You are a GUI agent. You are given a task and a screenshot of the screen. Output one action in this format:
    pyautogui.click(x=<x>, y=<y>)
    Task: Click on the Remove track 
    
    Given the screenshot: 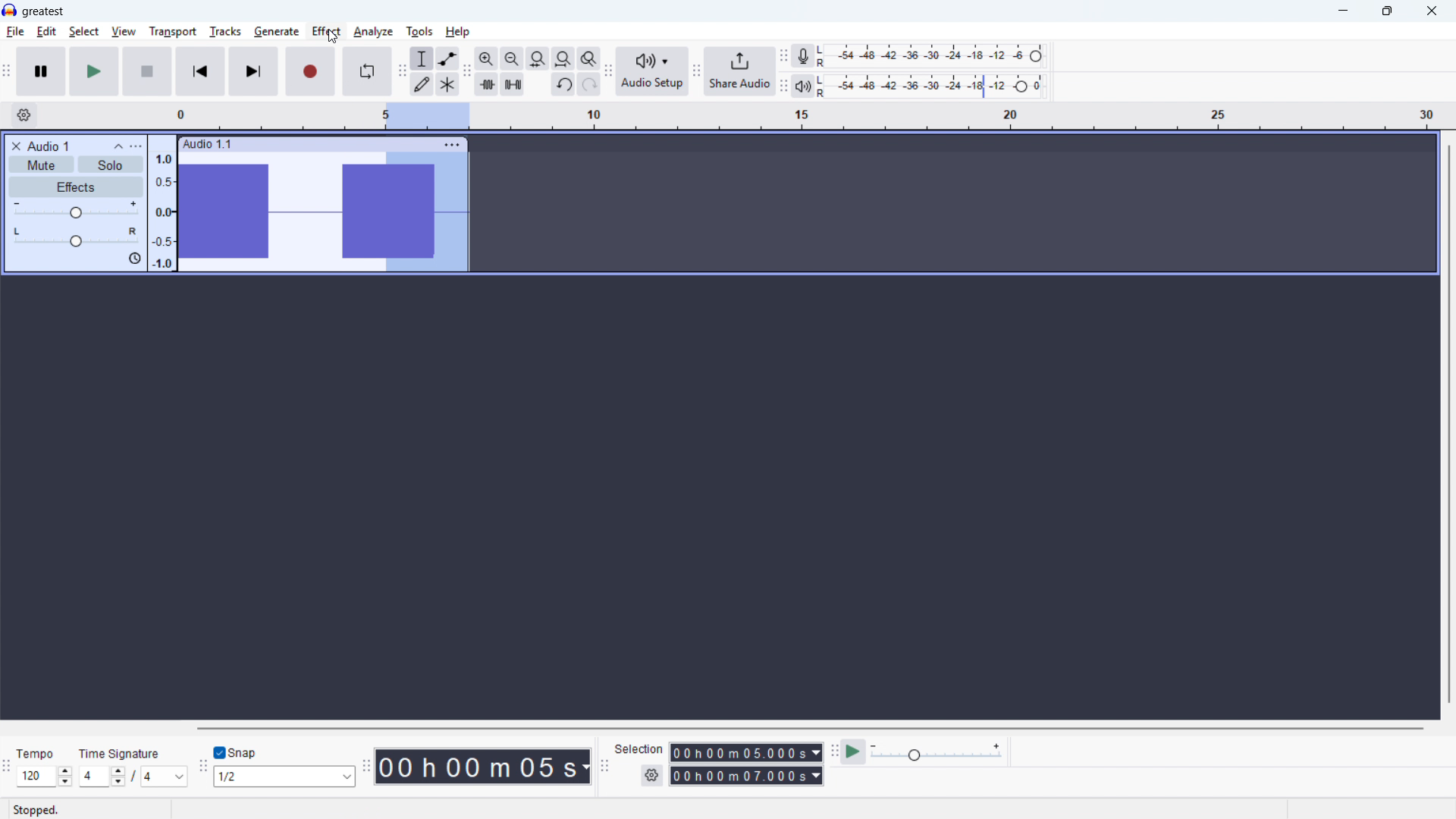 What is the action you would take?
    pyautogui.click(x=17, y=146)
    